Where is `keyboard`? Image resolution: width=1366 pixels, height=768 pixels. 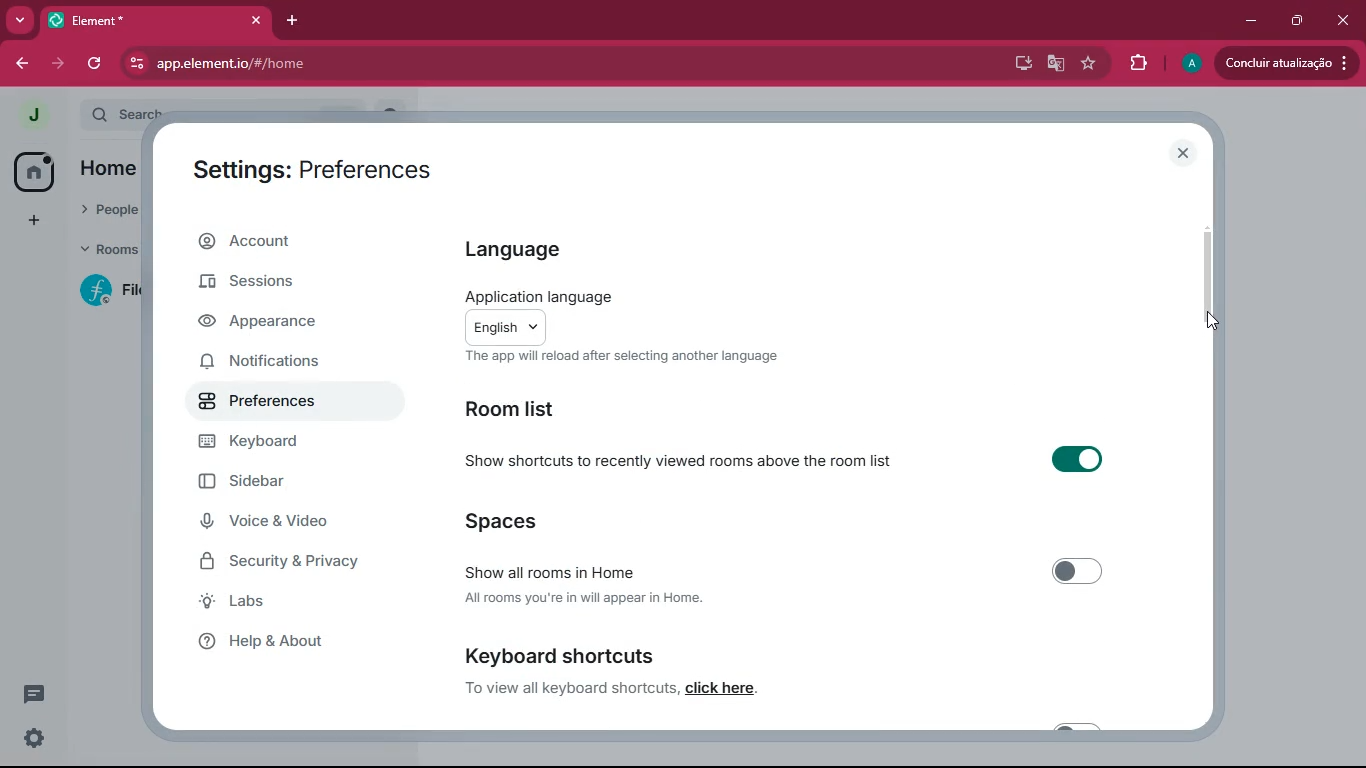
keyboard is located at coordinates (277, 444).